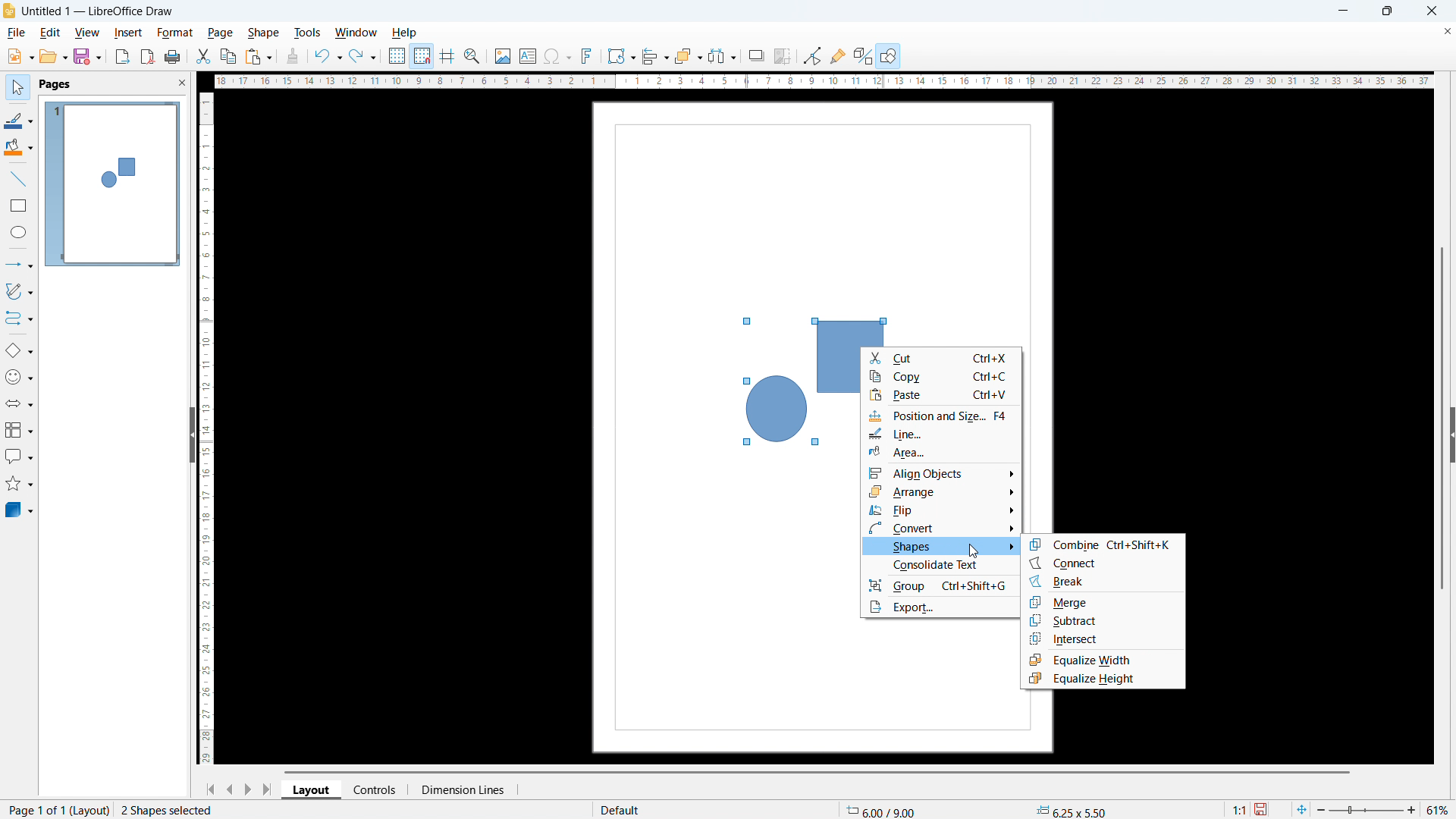  Describe the element at coordinates (20, 291) in the screenshot. I see `curves & polygons` at that location.